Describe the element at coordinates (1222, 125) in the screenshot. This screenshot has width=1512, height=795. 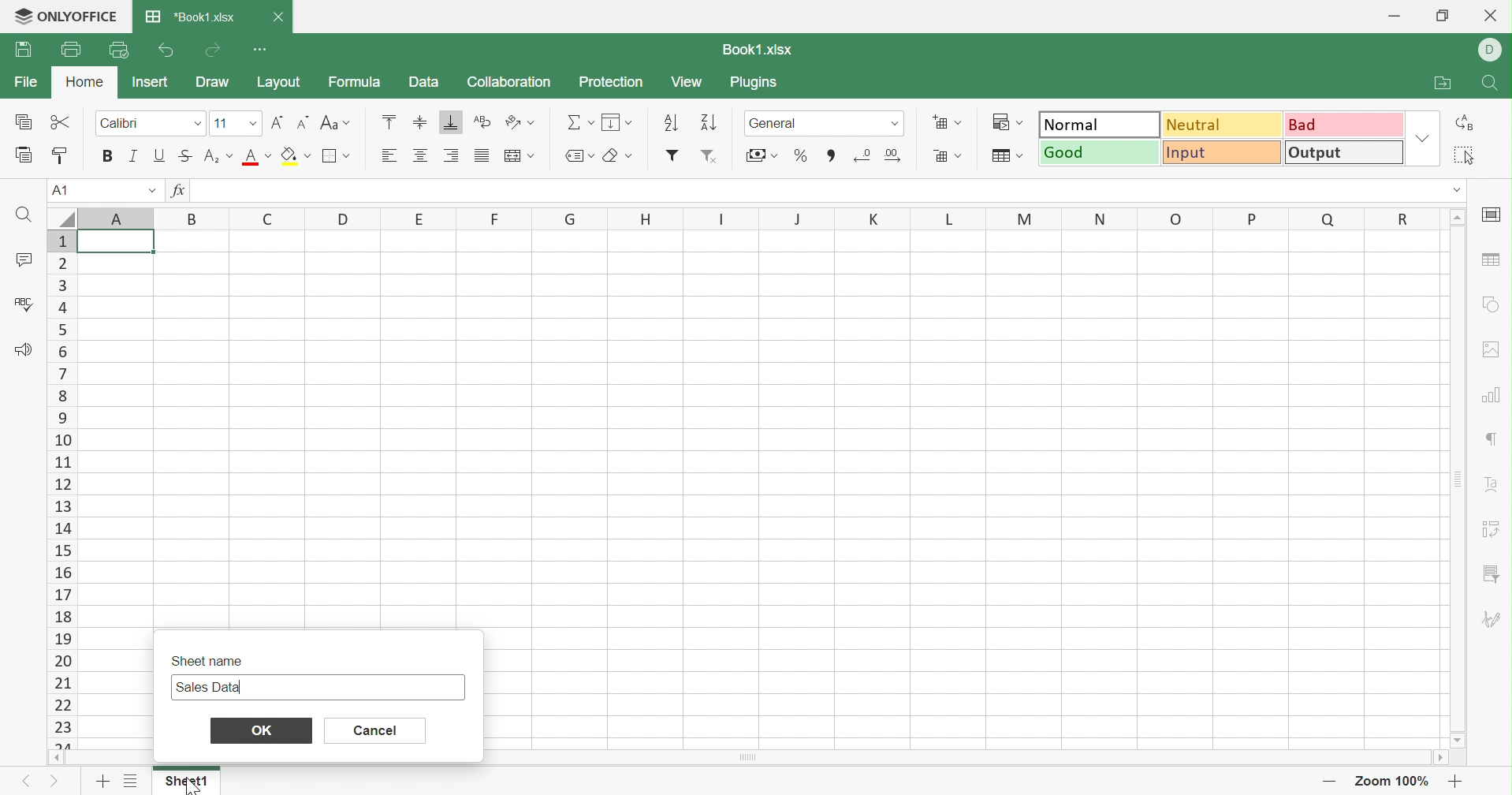
I see `Neutral` at that location.